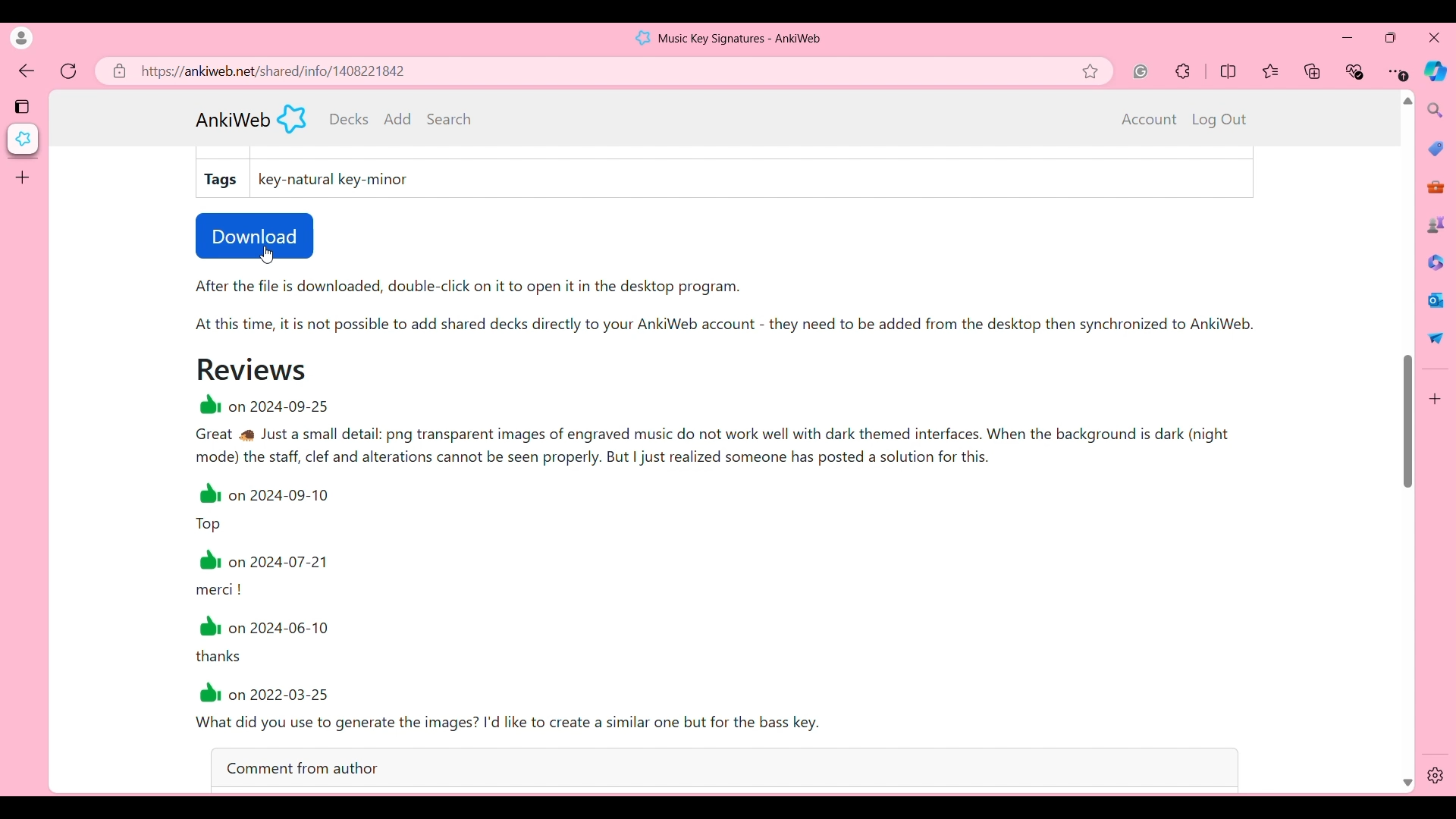 The image size is (1456, 819). I want to click on Settings, so click(1436, 776).